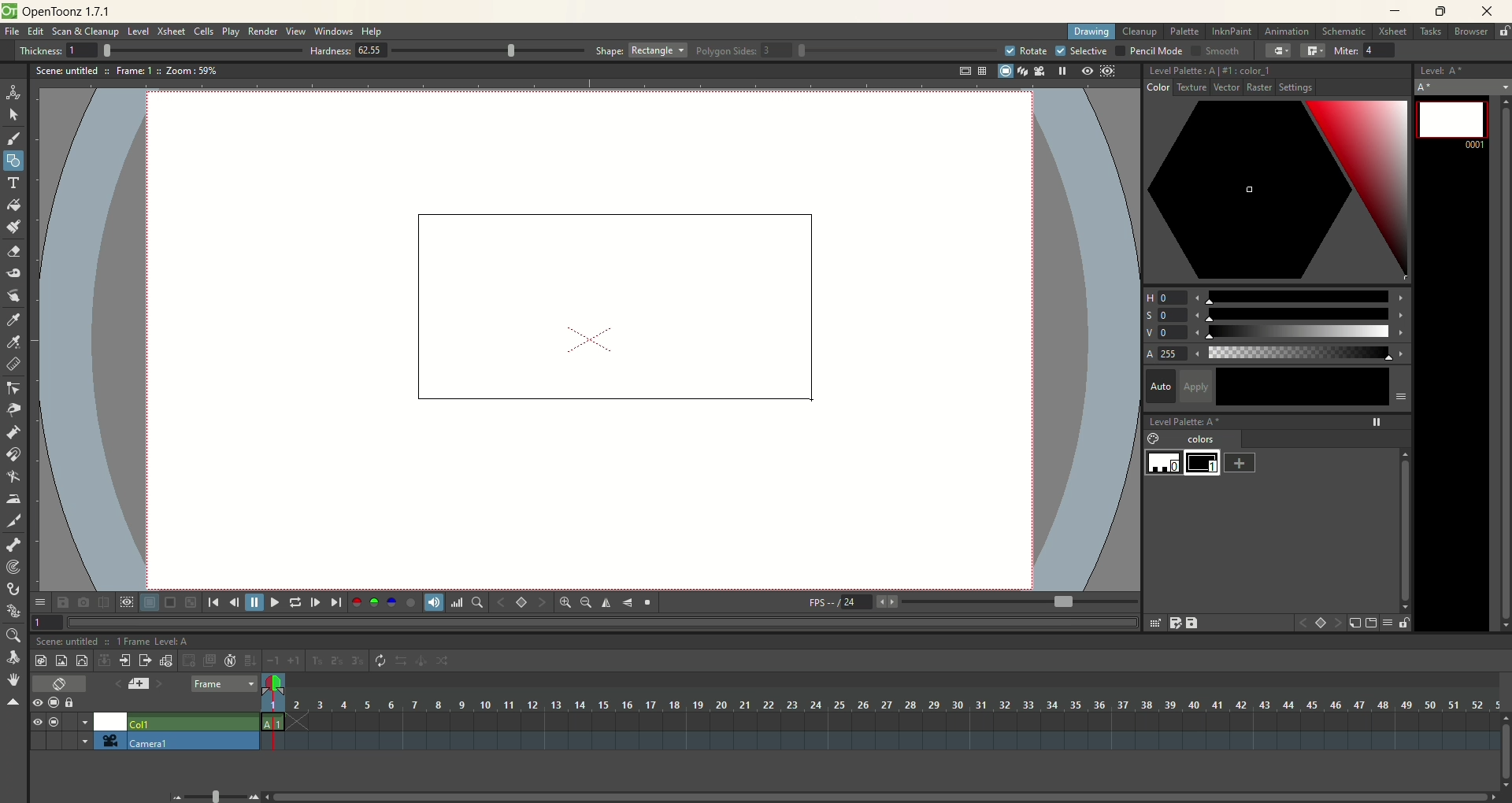  Describe the element at coordinates (1194, 623) in the screenshot. I see `save` at that location.